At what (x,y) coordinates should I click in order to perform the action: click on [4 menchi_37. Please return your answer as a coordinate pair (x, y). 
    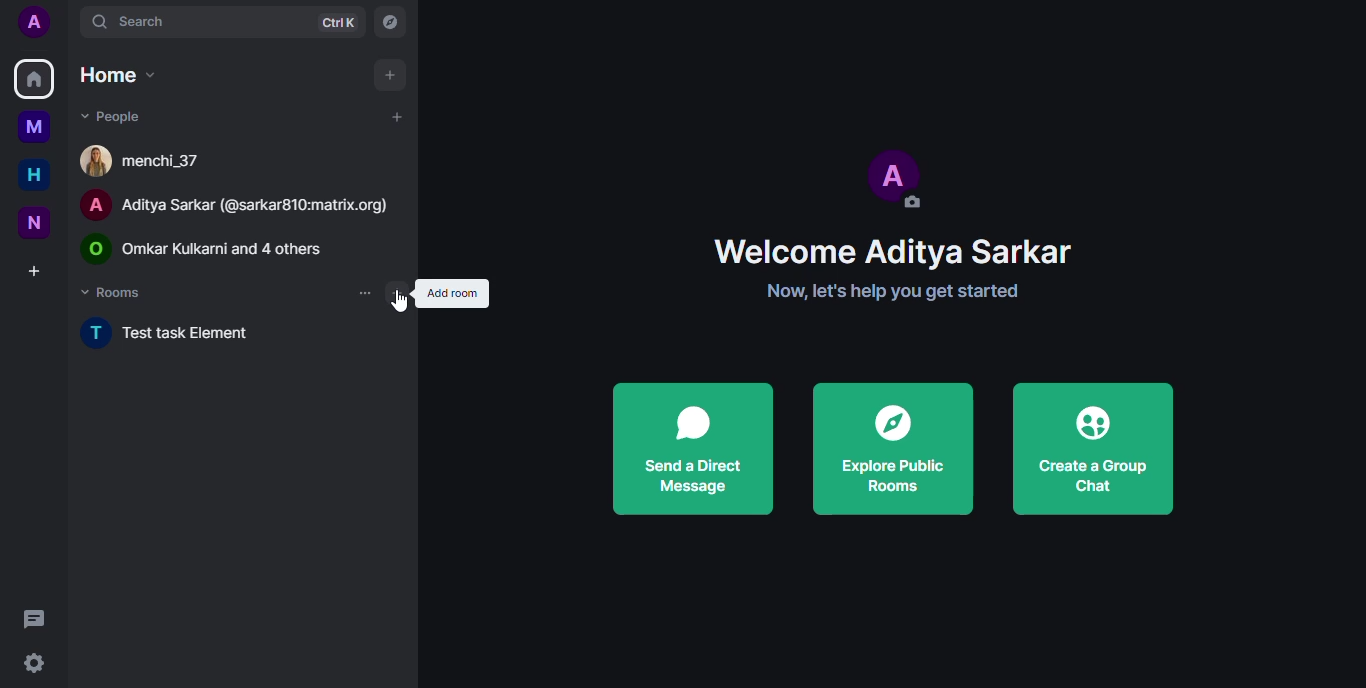
    Looking at the image, I should click on (148, 159).